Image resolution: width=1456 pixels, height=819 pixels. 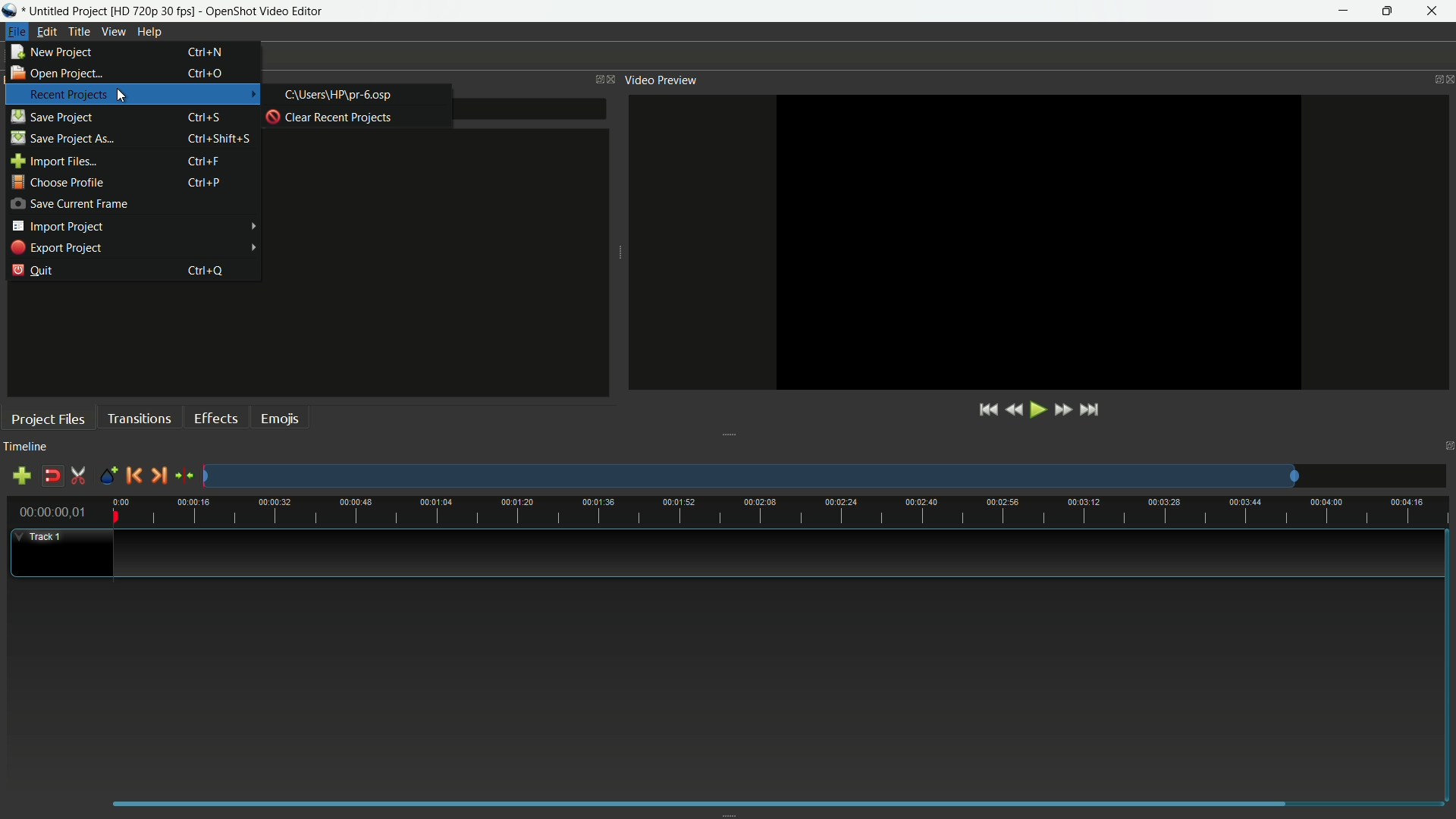 What do you see at coordinates (158, 475) in the screenshot?
I see `next marker` at bounding box center [158, 475].